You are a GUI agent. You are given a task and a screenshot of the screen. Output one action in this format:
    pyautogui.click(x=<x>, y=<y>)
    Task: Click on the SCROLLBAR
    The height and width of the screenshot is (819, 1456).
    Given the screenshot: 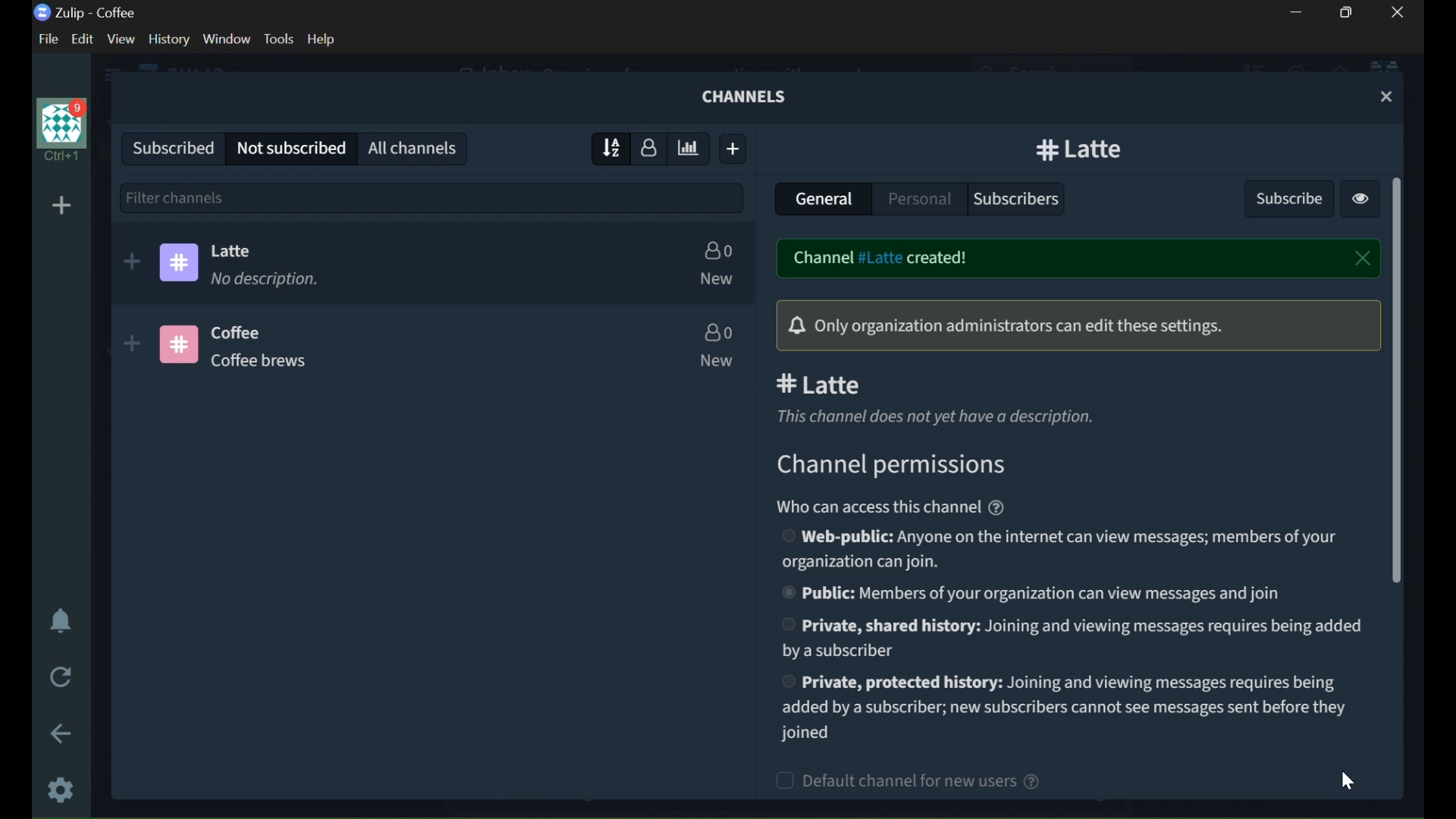 What is the action you would take?
    pyautogui.click(x=1398, y=381)
    